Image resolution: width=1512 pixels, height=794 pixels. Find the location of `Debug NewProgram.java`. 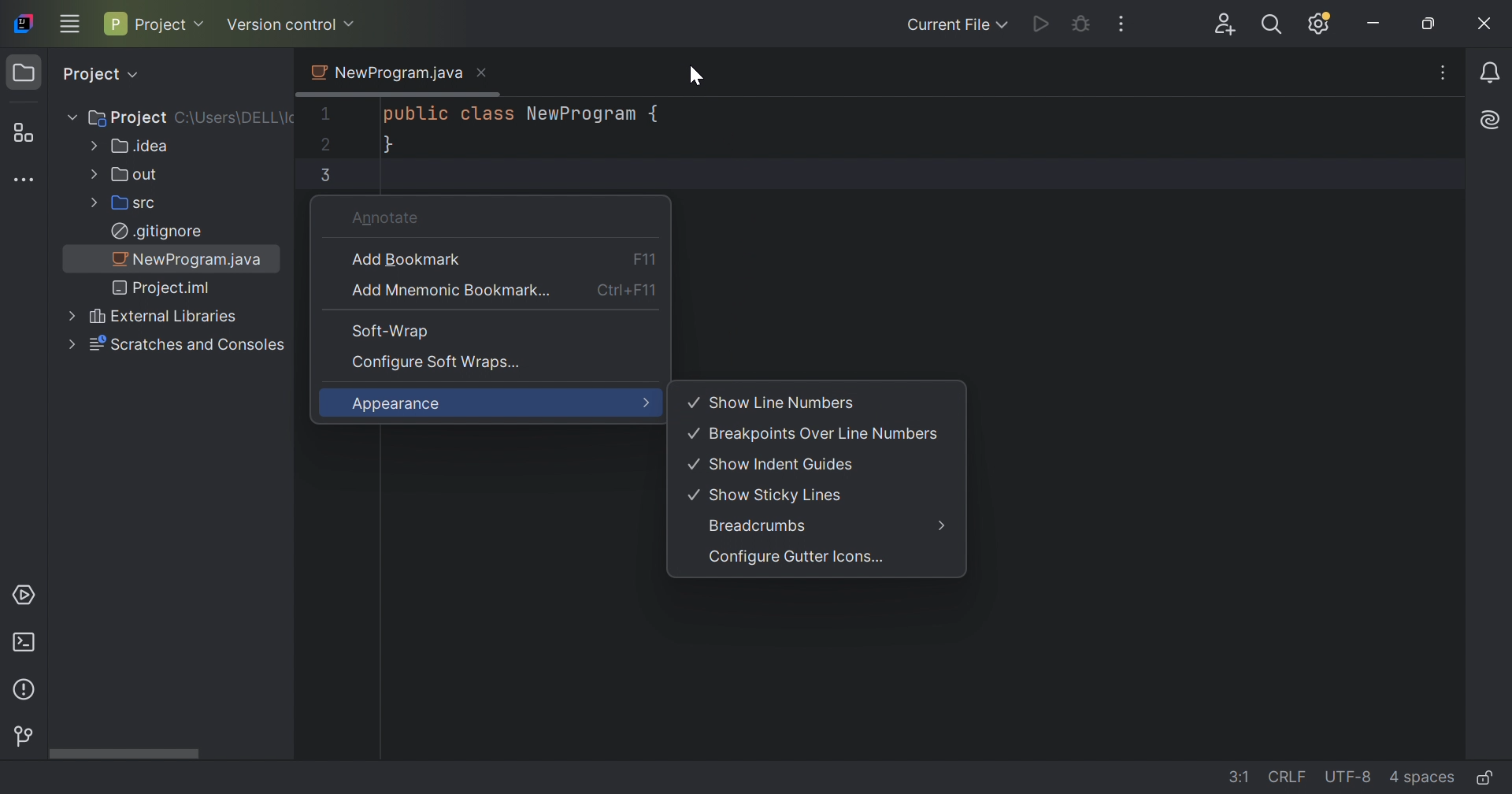

Debug NewProgram.java is located at coordinates (1080, 23).